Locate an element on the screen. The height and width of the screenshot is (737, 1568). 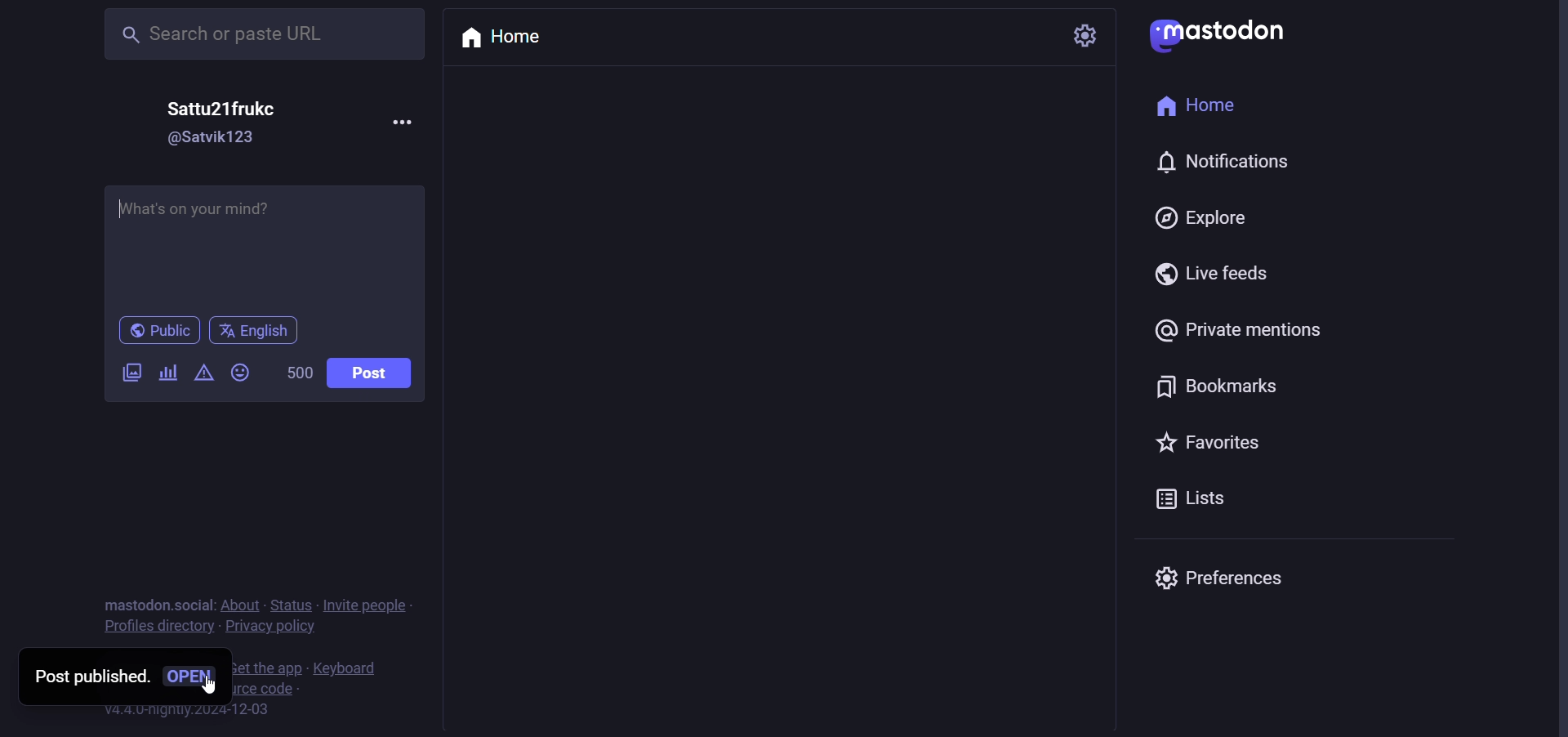
home is located at coordinates (499, 39).